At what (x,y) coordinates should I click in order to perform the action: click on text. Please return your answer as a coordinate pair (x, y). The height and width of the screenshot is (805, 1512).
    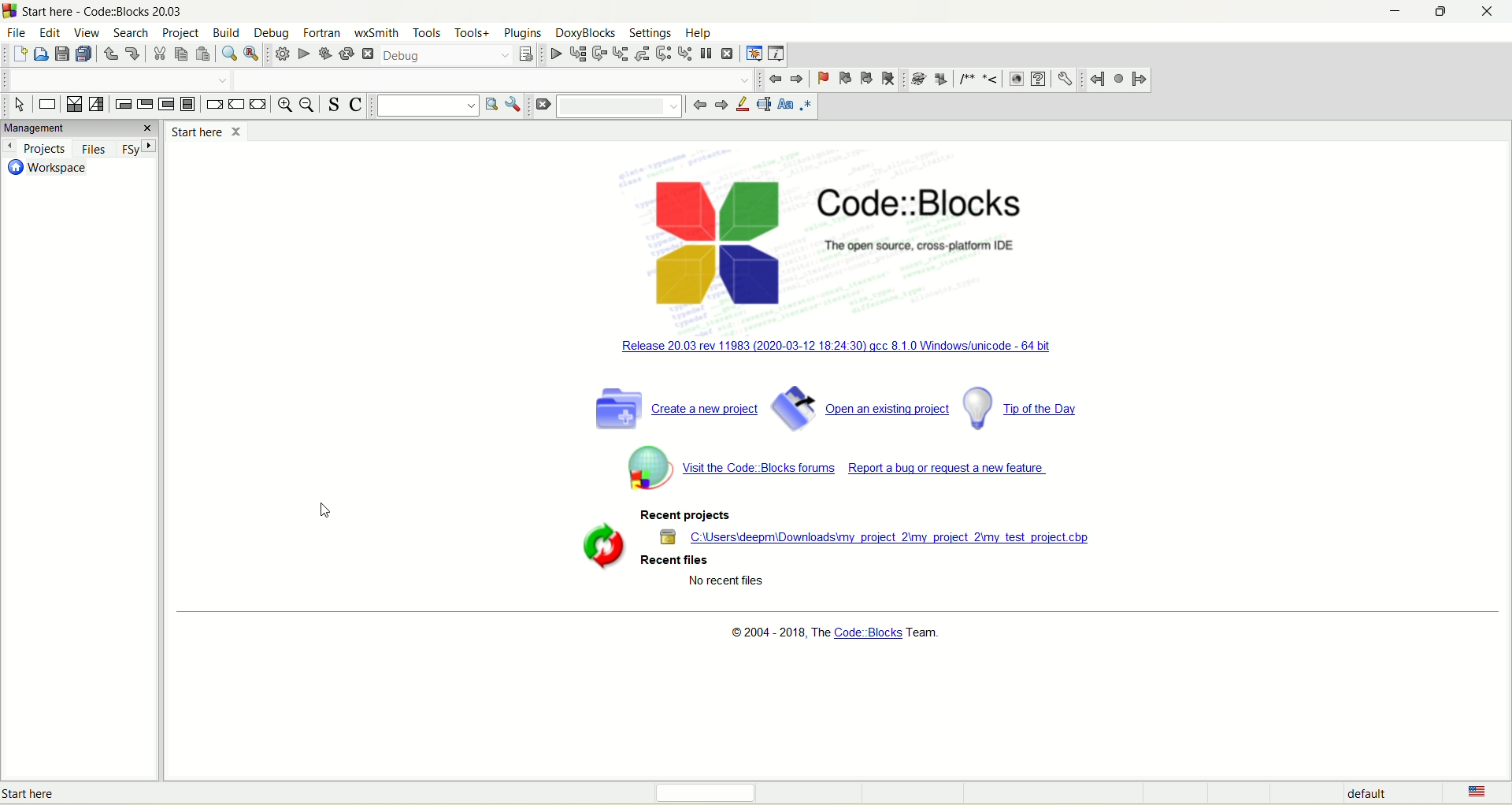
    Looking at the image, I should click on (836, 633).